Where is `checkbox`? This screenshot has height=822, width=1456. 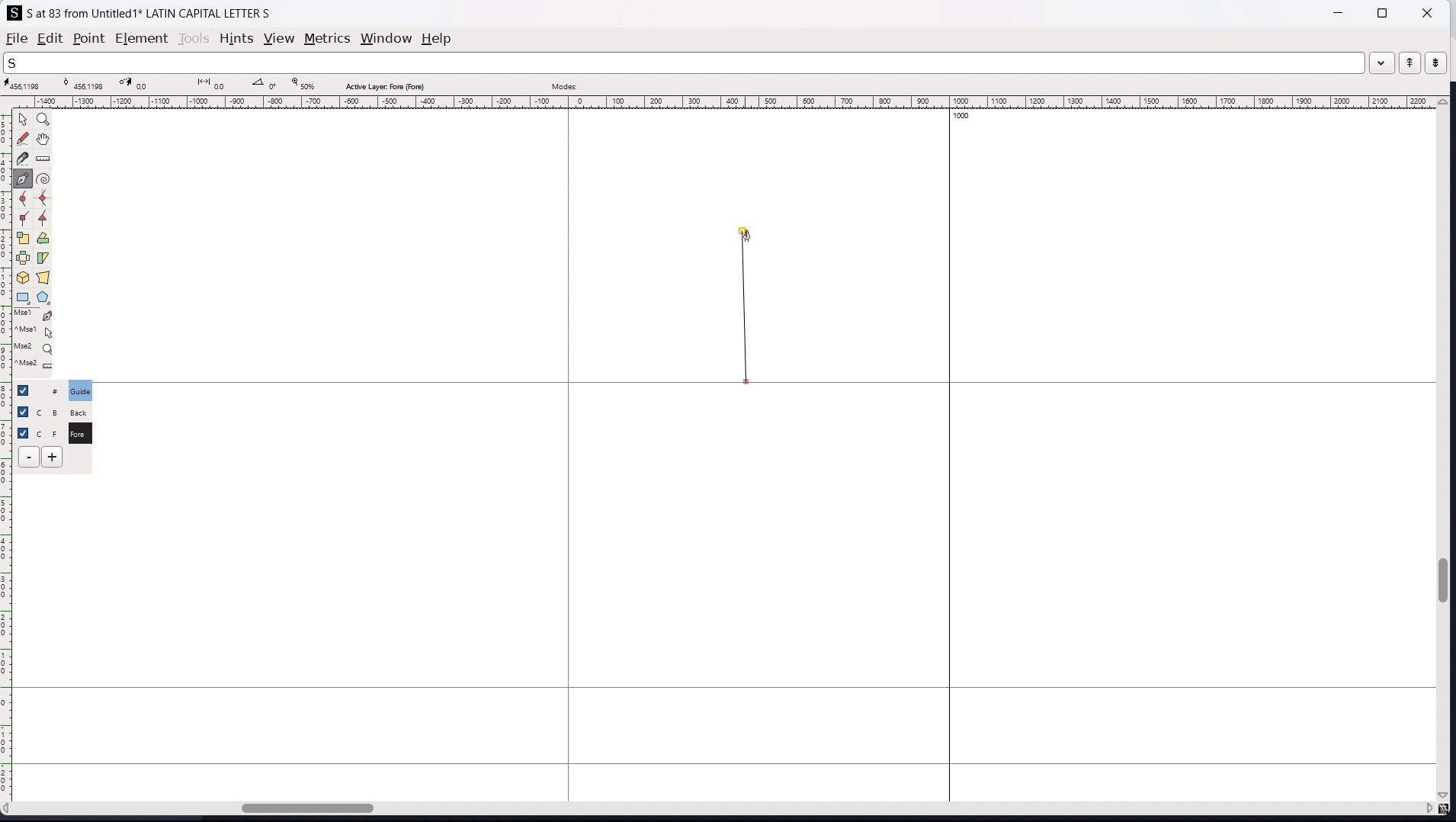
checkbox is located at coordinates (27, 390).